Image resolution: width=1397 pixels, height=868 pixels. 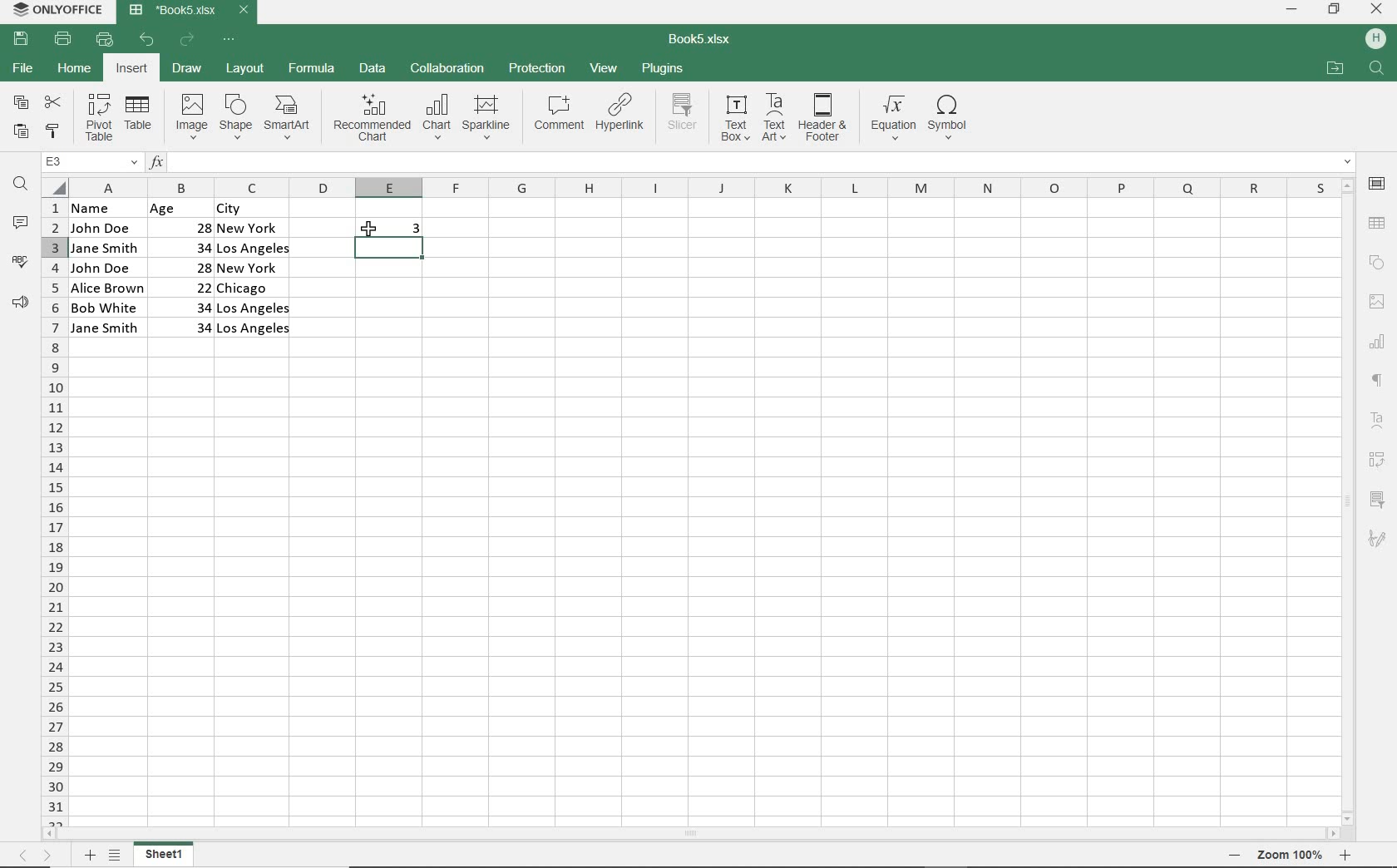 What do you see at coordinates (289, 117) in the screenshot?
I see `SMARTART` at bounding box center [289, 117].